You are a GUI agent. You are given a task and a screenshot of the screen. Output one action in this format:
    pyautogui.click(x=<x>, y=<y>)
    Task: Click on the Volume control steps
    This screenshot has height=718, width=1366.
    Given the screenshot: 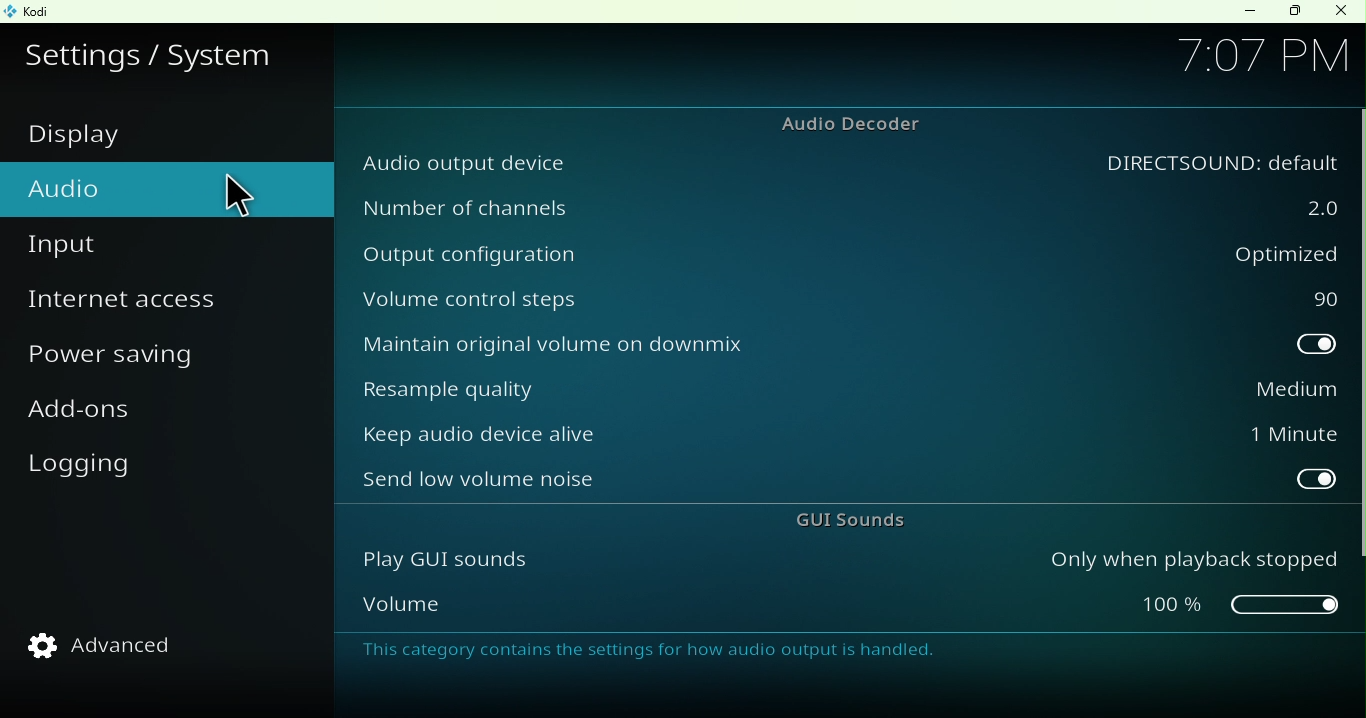 What is the action you would take?
    pyautogui.click(x=717, y=298)
    